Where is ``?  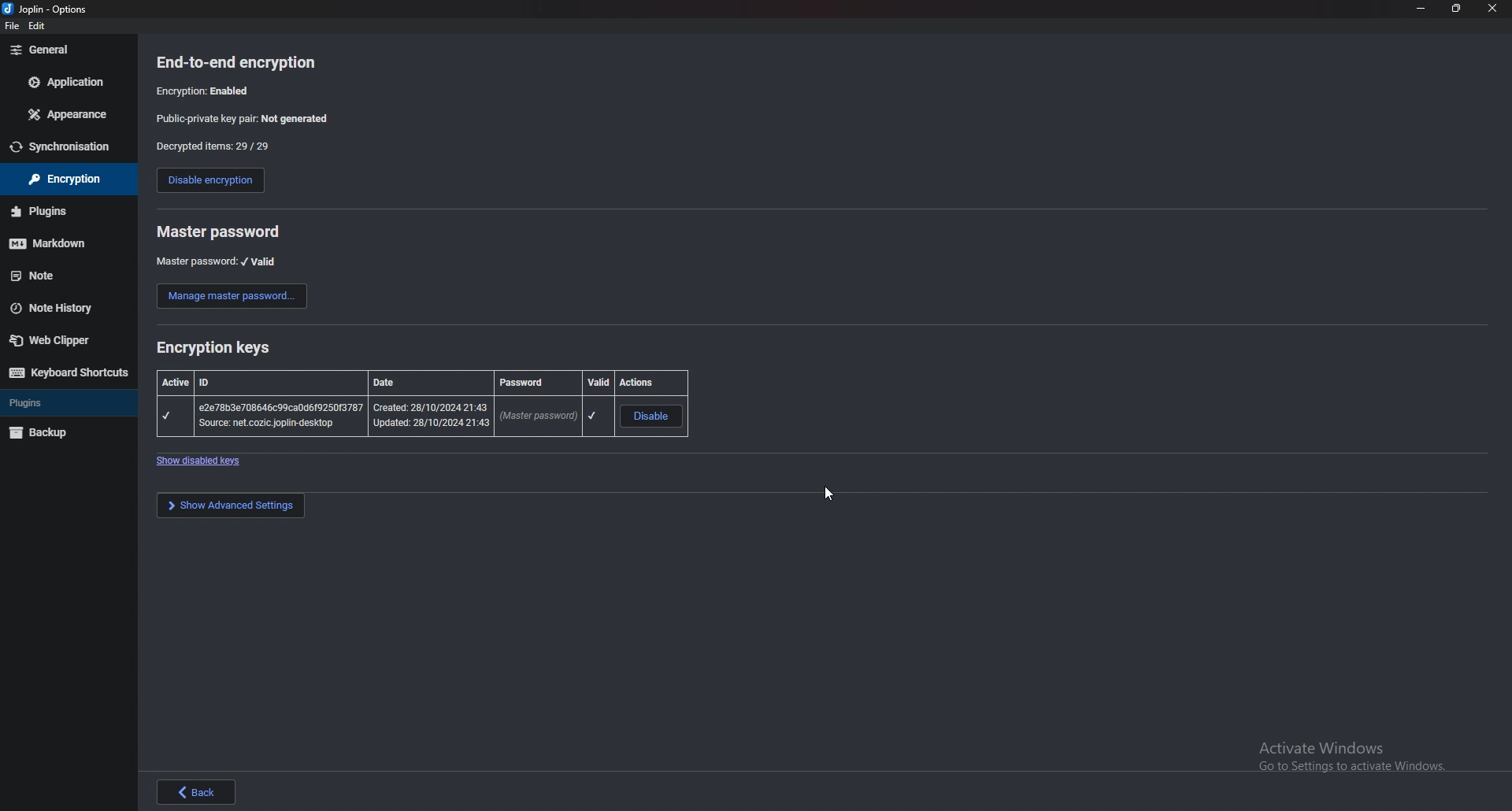
 is located at coordinates (39, 51).